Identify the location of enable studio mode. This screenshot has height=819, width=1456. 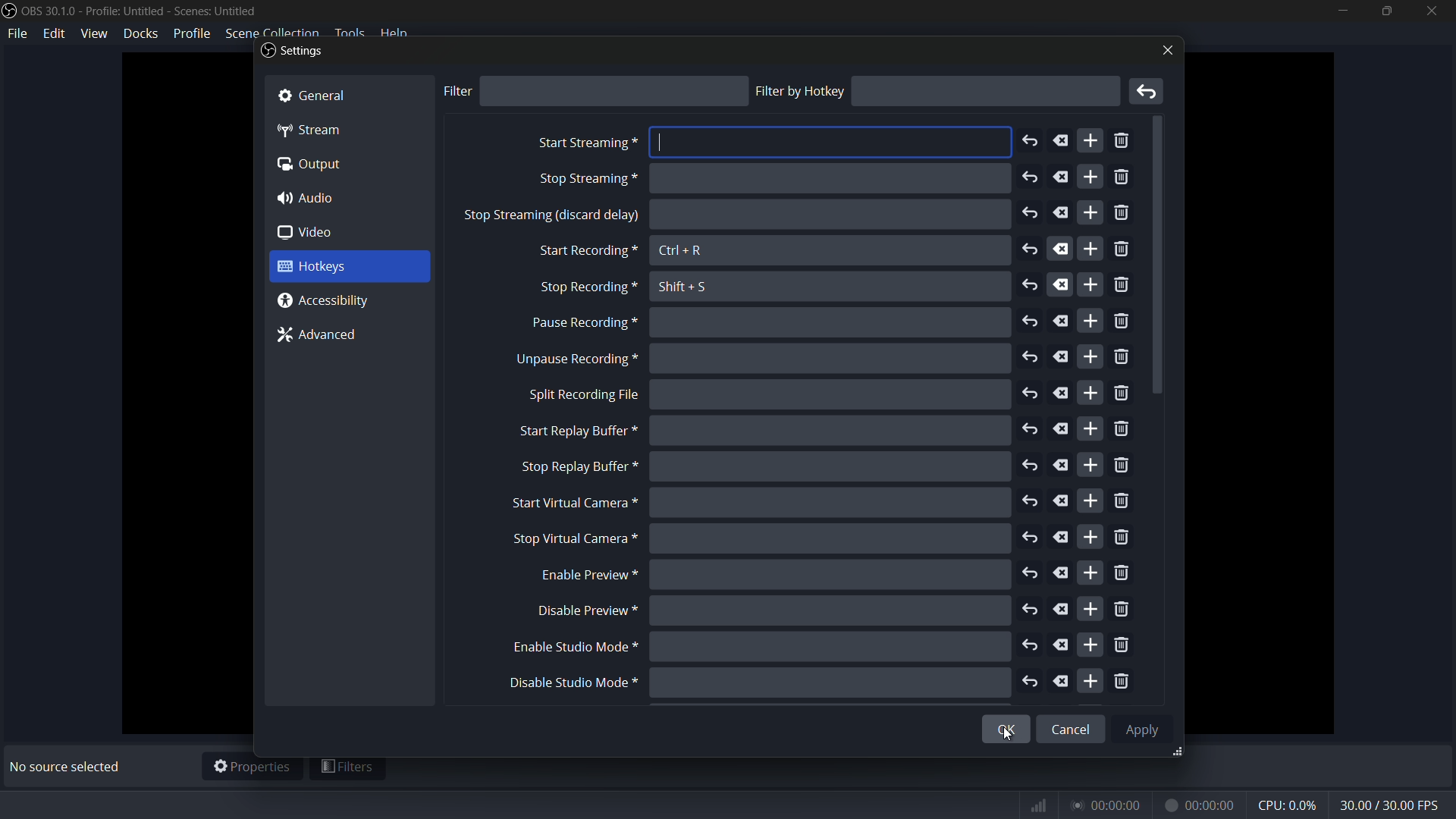
(571, 648).